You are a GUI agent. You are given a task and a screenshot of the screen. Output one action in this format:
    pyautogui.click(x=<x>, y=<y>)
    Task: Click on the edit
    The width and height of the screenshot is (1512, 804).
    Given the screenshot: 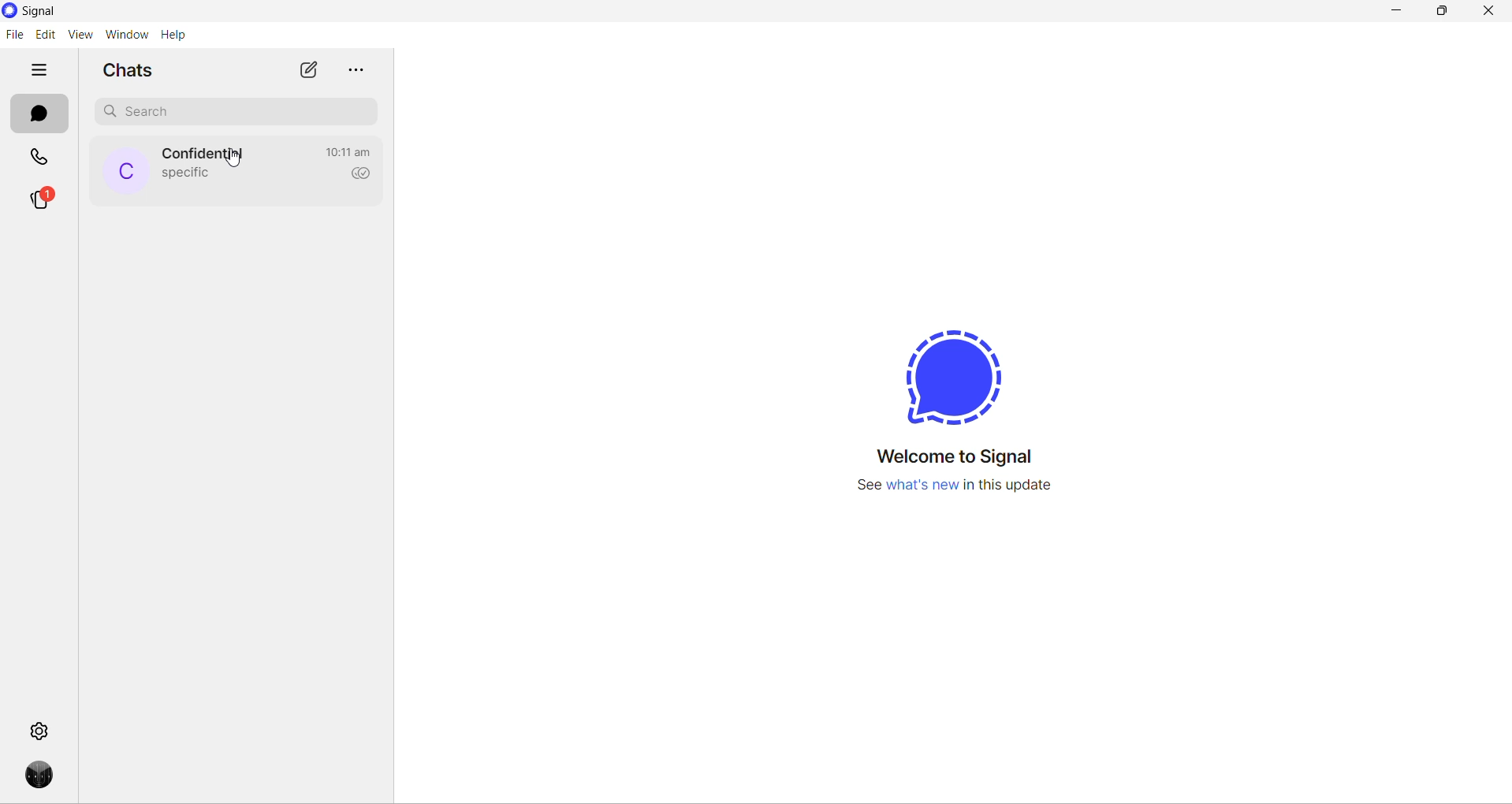 What is the action you would take?
    pyautogui.click(x=45, y=35)
    